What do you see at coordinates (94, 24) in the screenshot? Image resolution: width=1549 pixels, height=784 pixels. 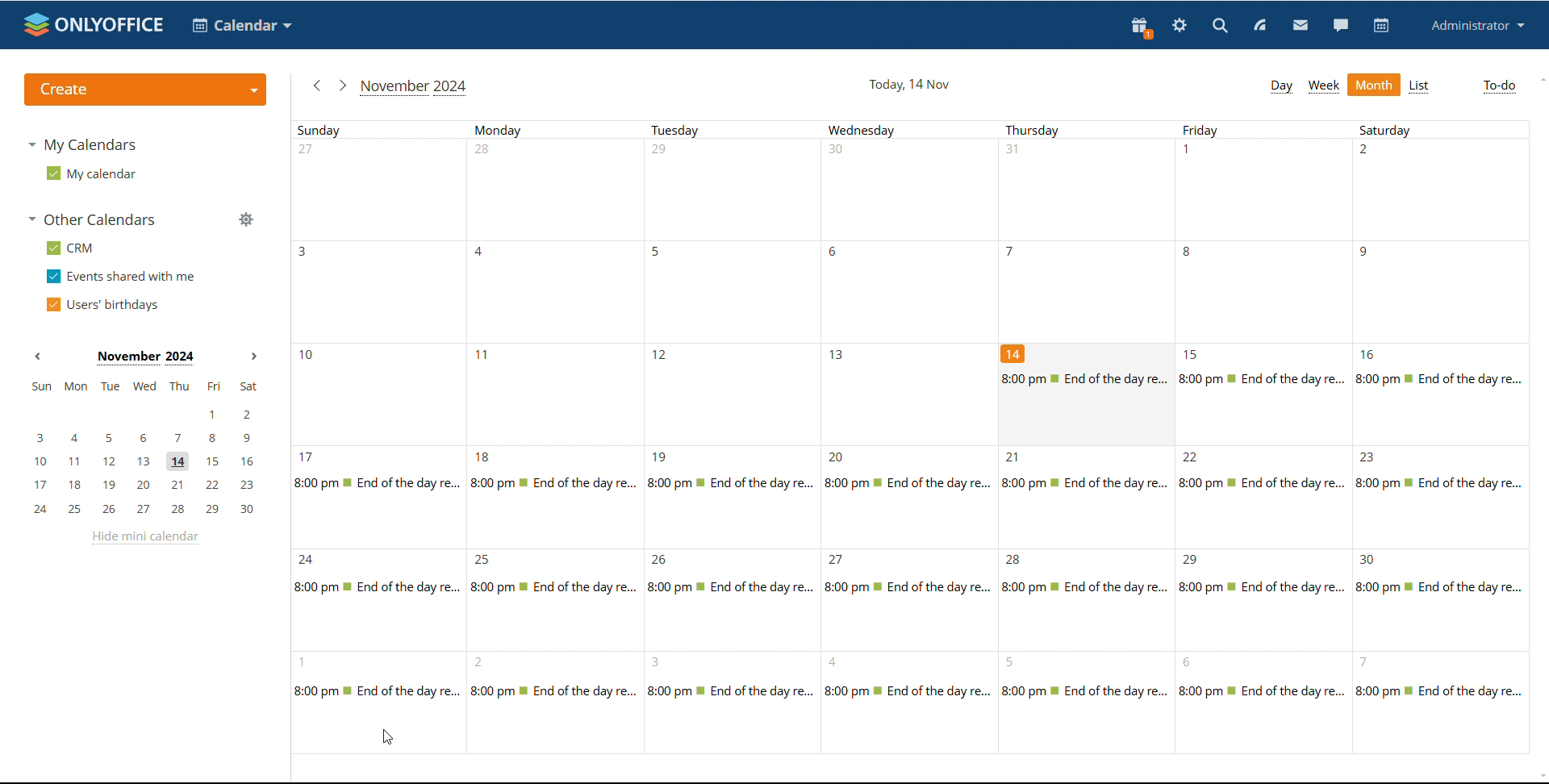 I see `logo` at bounding box center [94, 24].